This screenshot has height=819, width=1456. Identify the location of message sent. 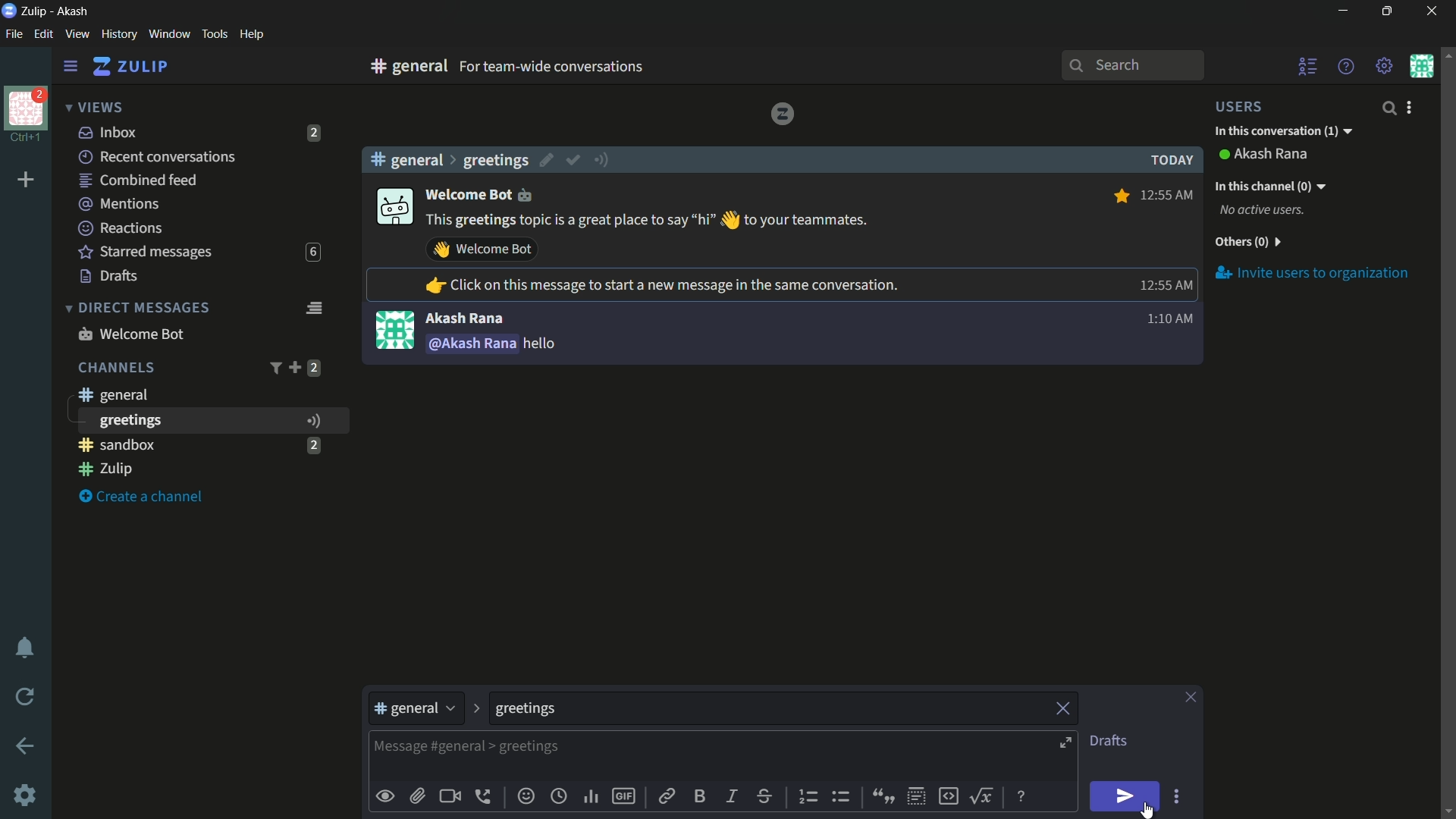
(497, 344).